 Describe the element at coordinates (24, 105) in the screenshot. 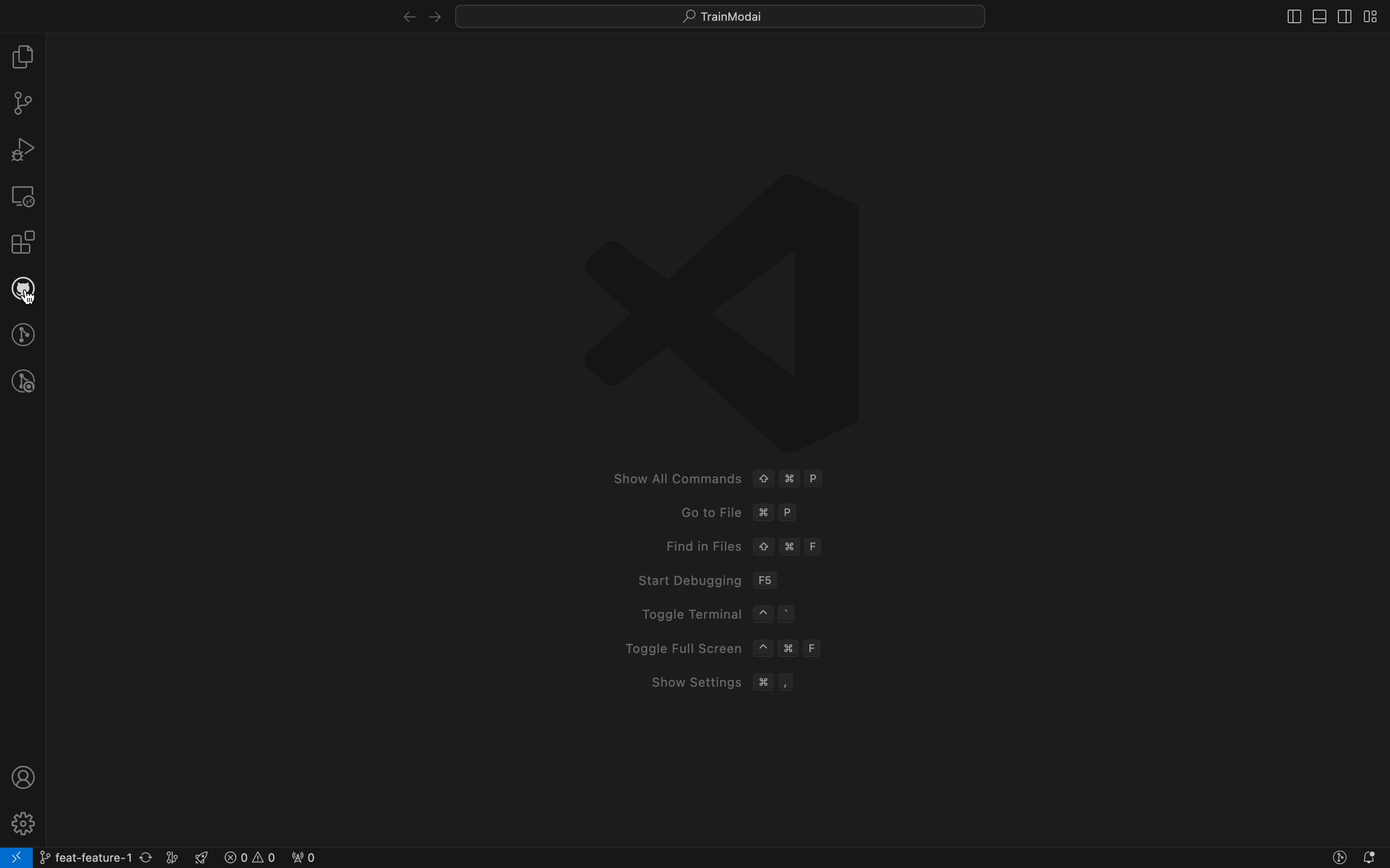

I see `git panel` at that location.